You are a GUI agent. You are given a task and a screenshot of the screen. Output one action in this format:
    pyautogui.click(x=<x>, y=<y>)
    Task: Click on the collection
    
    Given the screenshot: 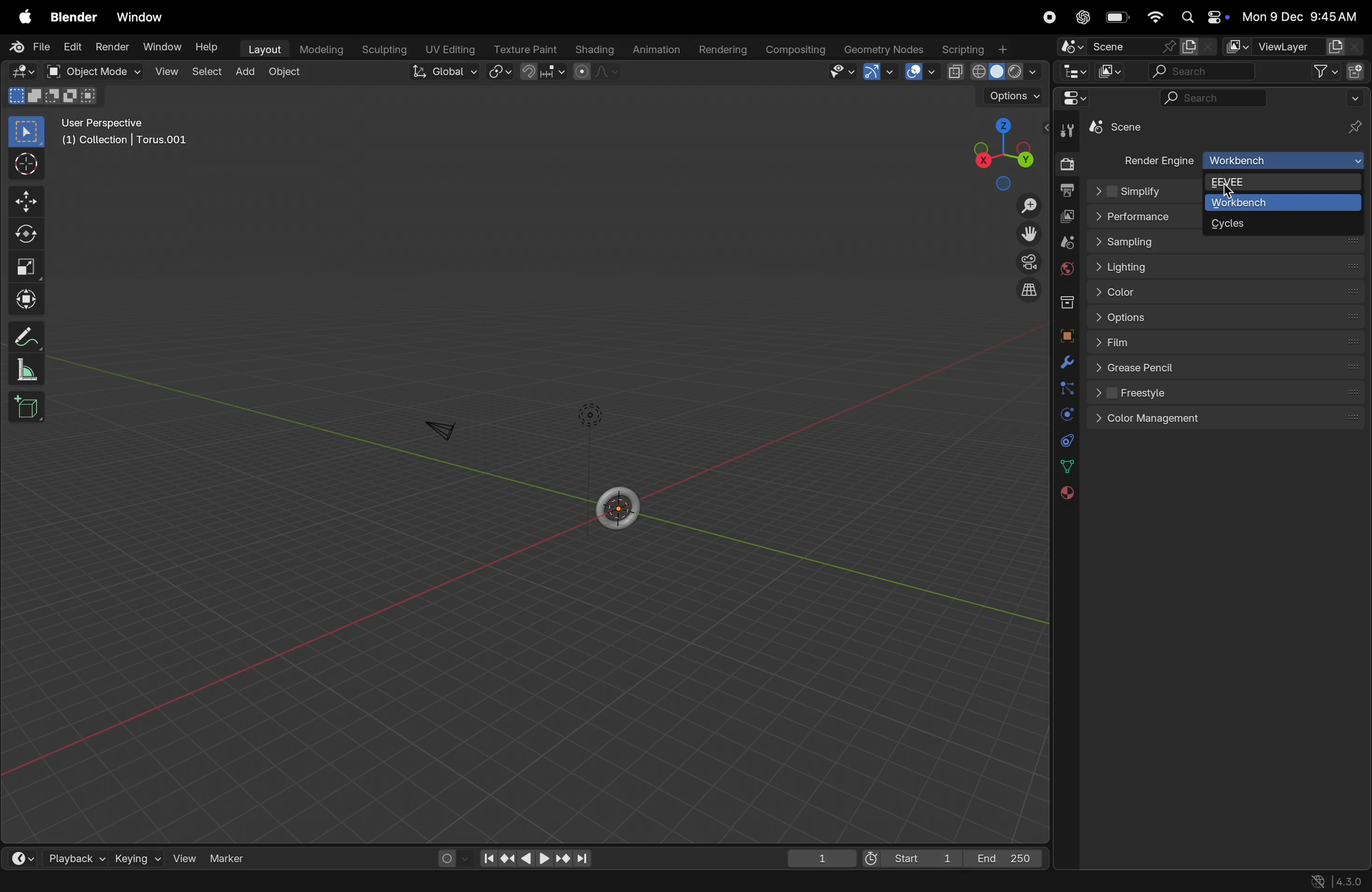 What is the action you would take?
    pyautogui.click(x=1064, y=303)
    